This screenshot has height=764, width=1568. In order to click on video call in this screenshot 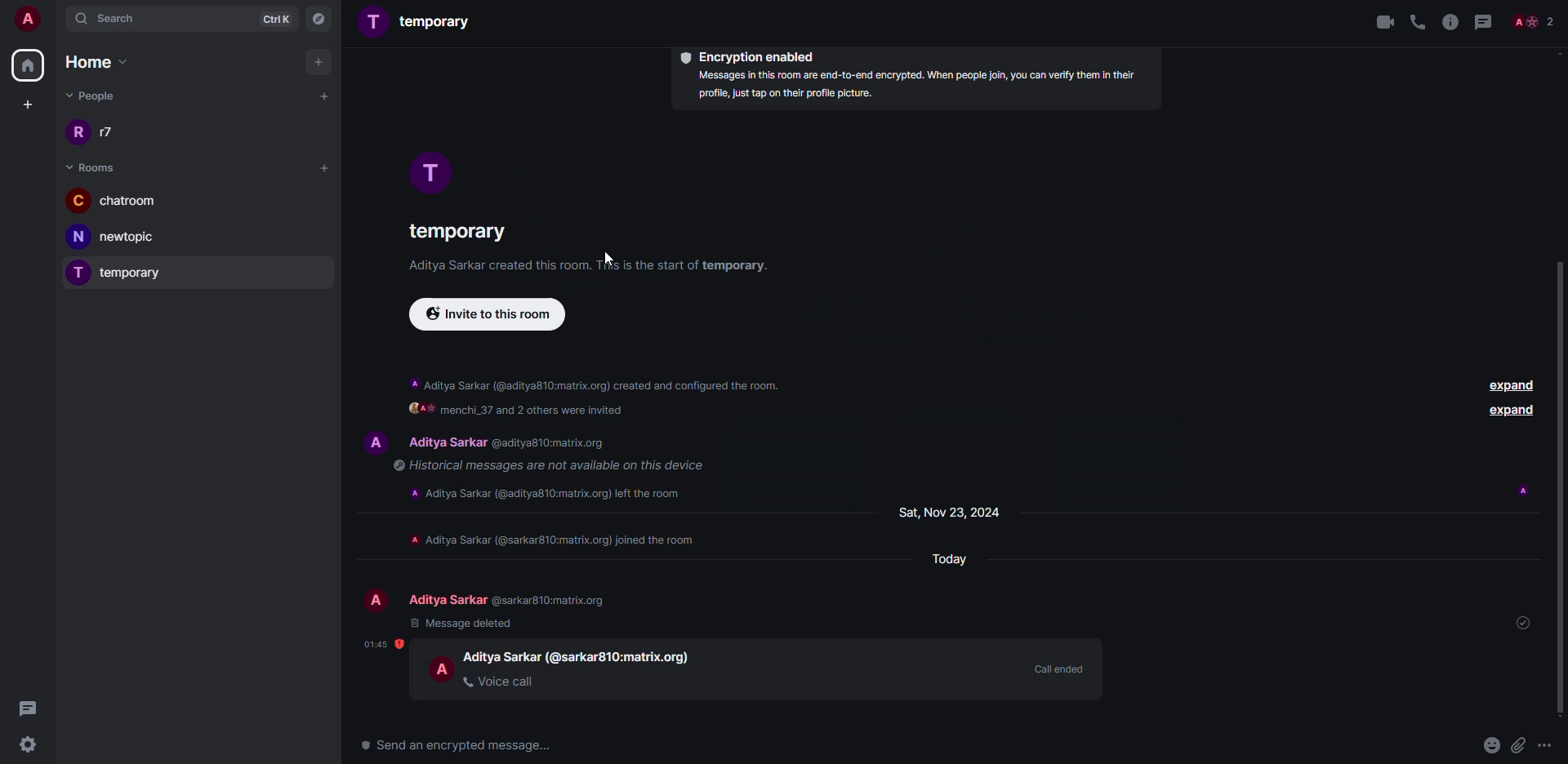, I will do `click(1384, 22)`.